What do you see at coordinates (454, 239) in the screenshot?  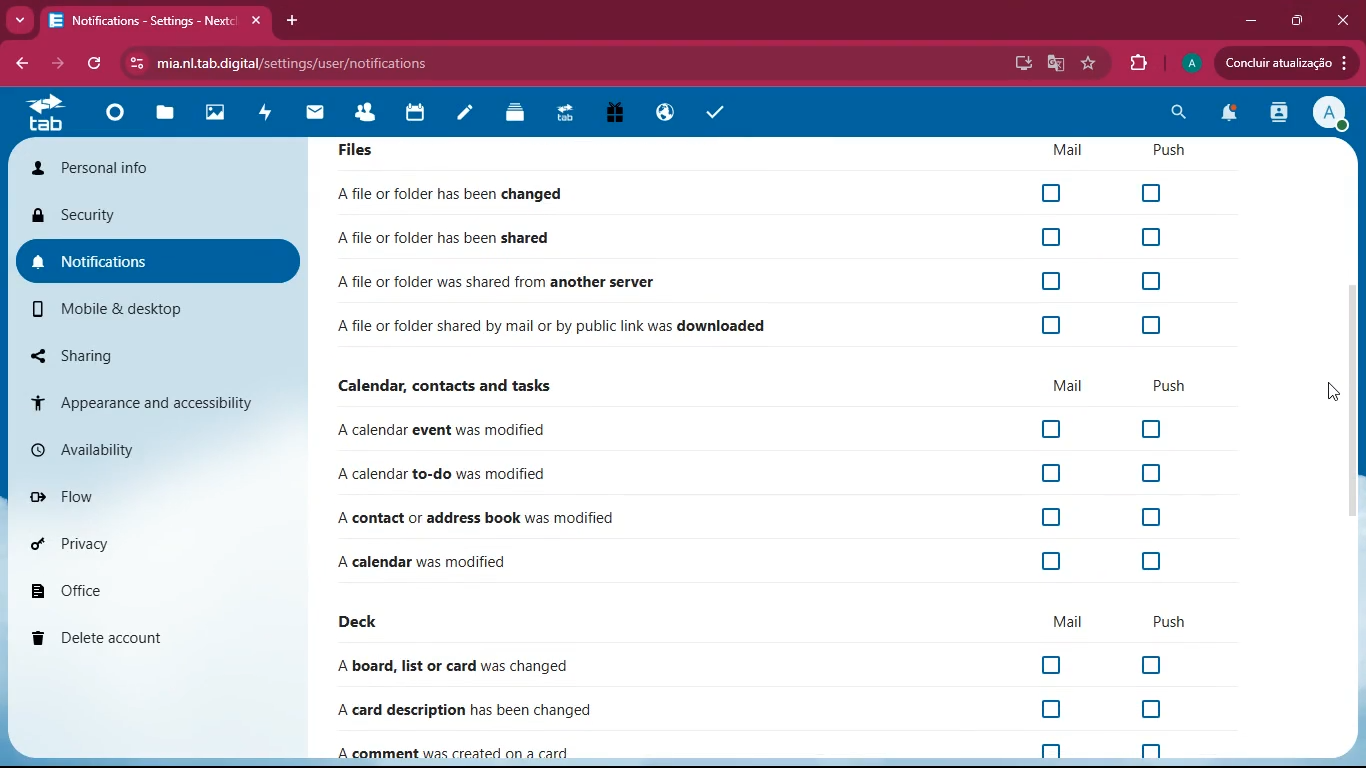 I see `file shared` at bounding box center [454, 239].